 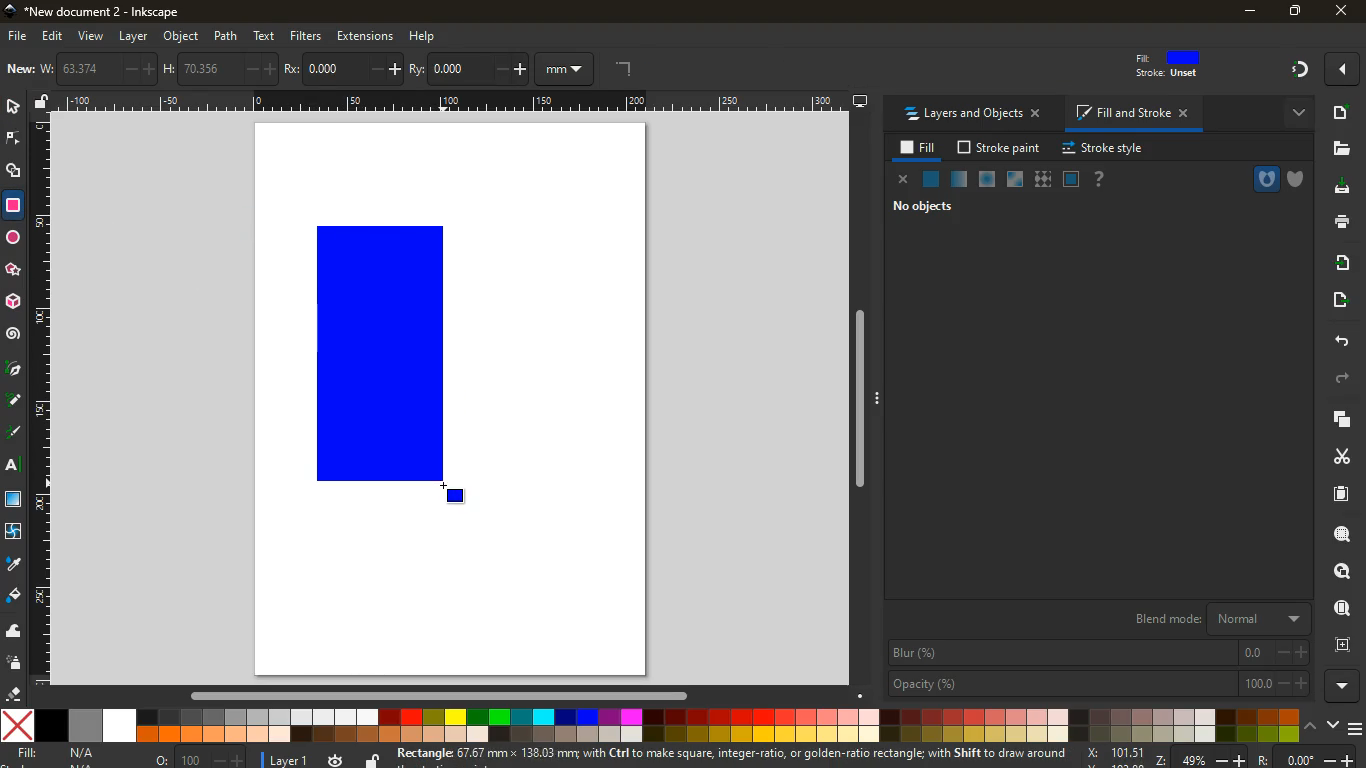 What do you see at coordinates (400, 357) in the screenshot?
I see `rectangle` at bounding box center [400, 357].